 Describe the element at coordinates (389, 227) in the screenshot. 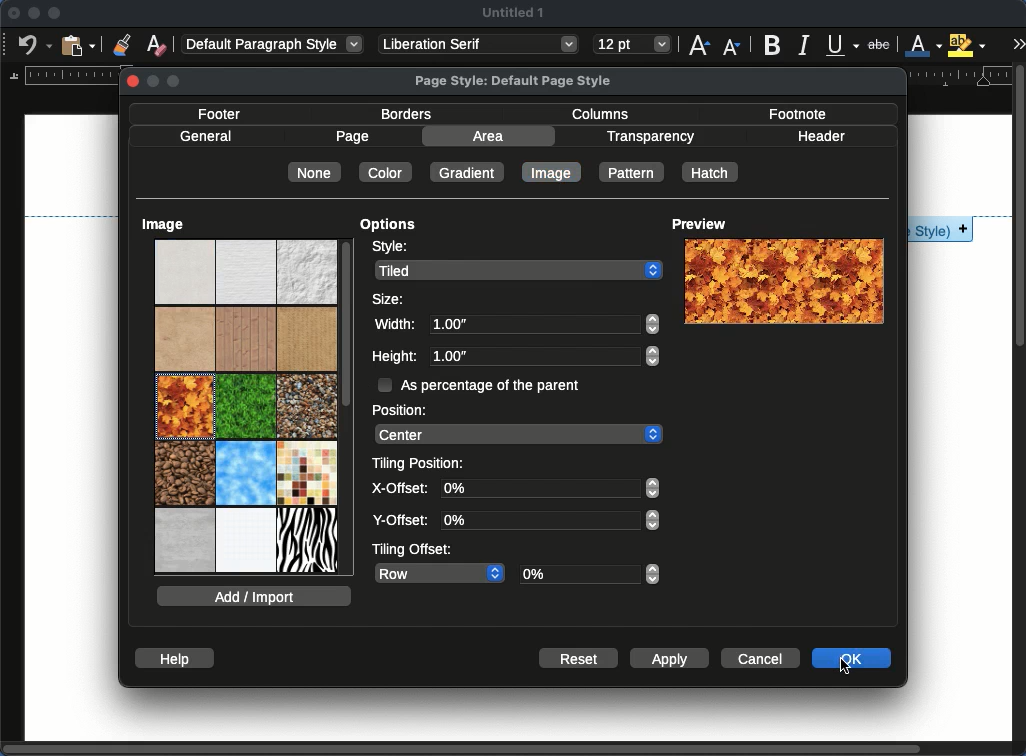

I see `options` at that location.